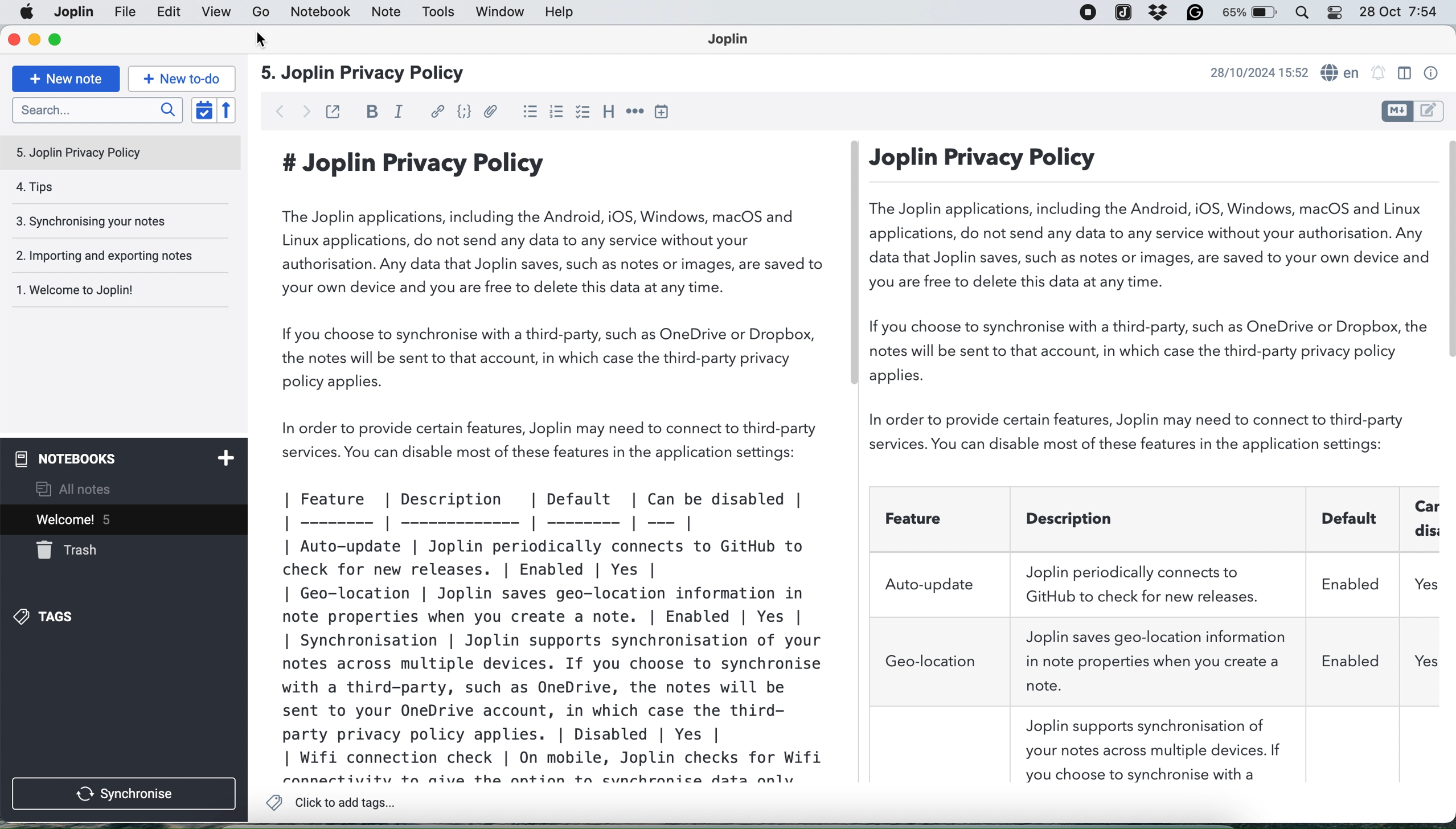  I want to click on toggle external editing, so click(333, 113).